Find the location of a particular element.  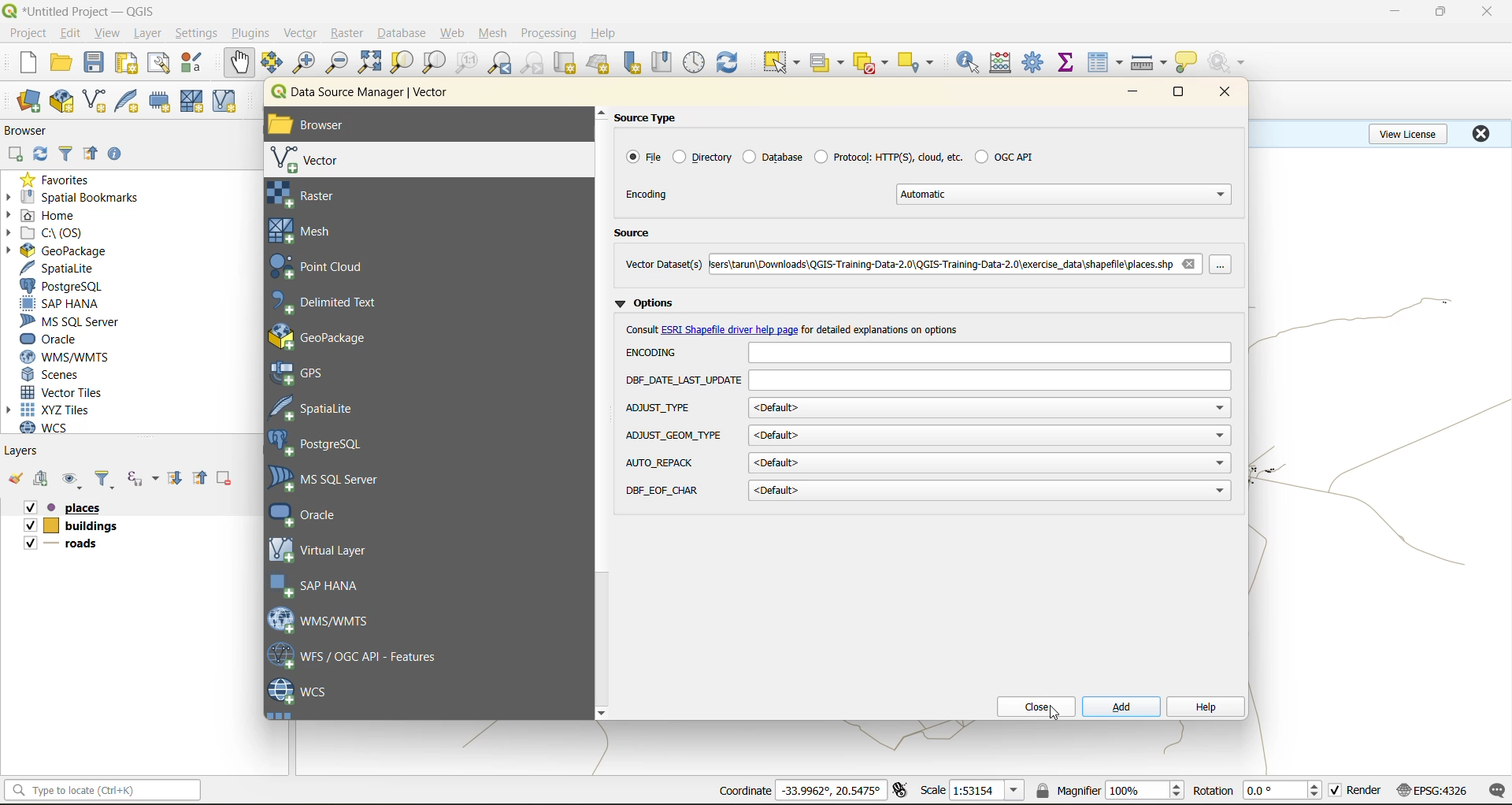

filter by expression is located at coordinates (145, 477).